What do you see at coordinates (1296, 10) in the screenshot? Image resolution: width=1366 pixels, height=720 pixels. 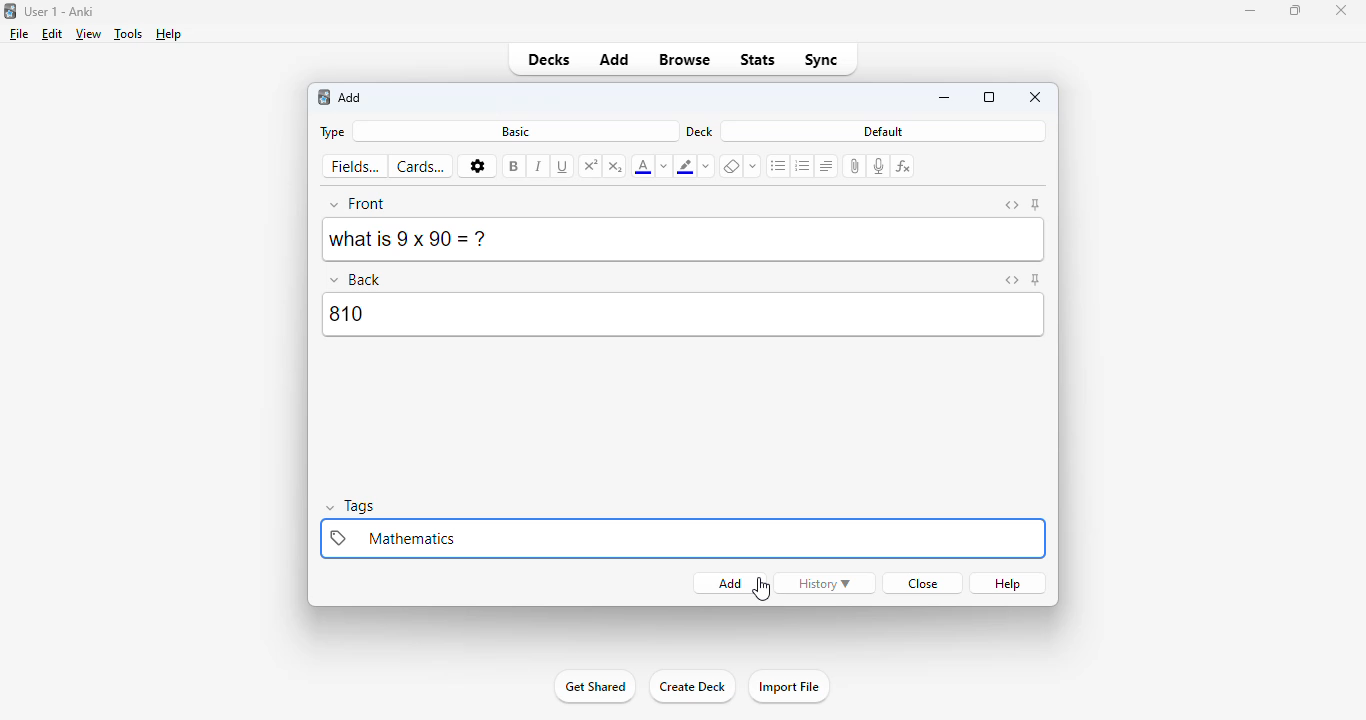 I see `maximize` at bounding box center [1296, 10].